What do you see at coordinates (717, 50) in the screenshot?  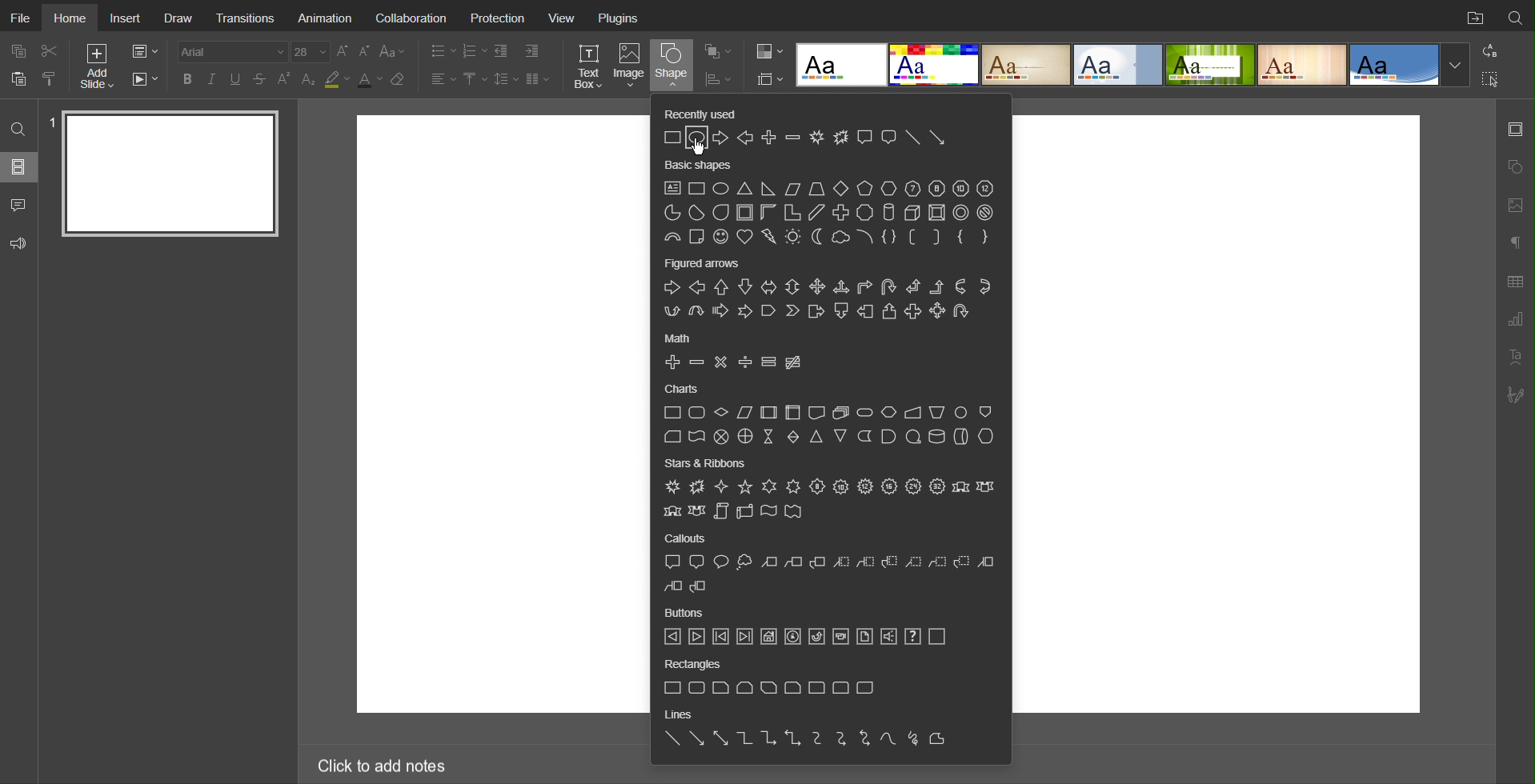 I see `Arrangement` at bounding box center [717, 50].